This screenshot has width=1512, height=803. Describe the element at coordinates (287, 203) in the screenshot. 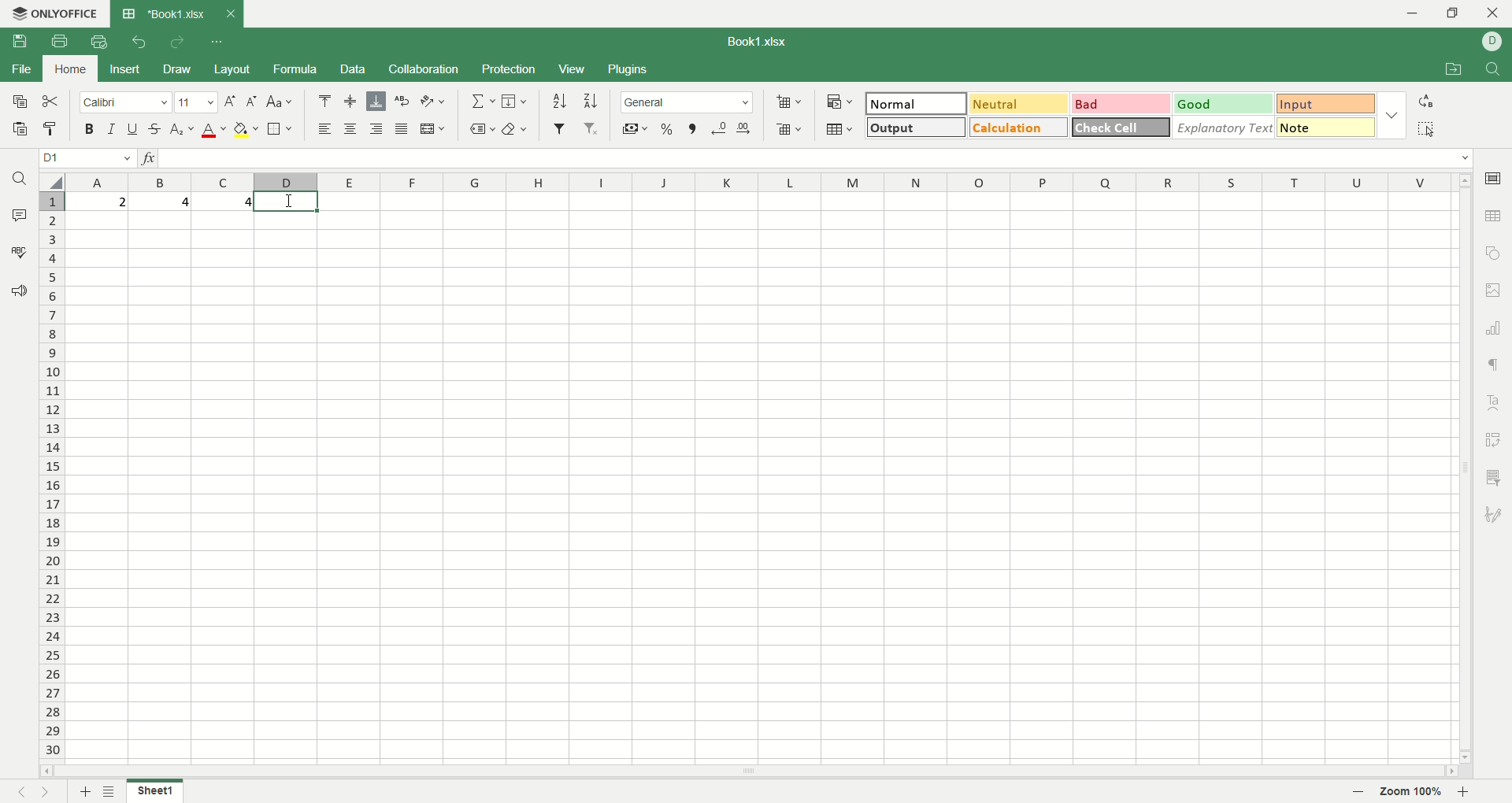

I see `cursor` at that location.